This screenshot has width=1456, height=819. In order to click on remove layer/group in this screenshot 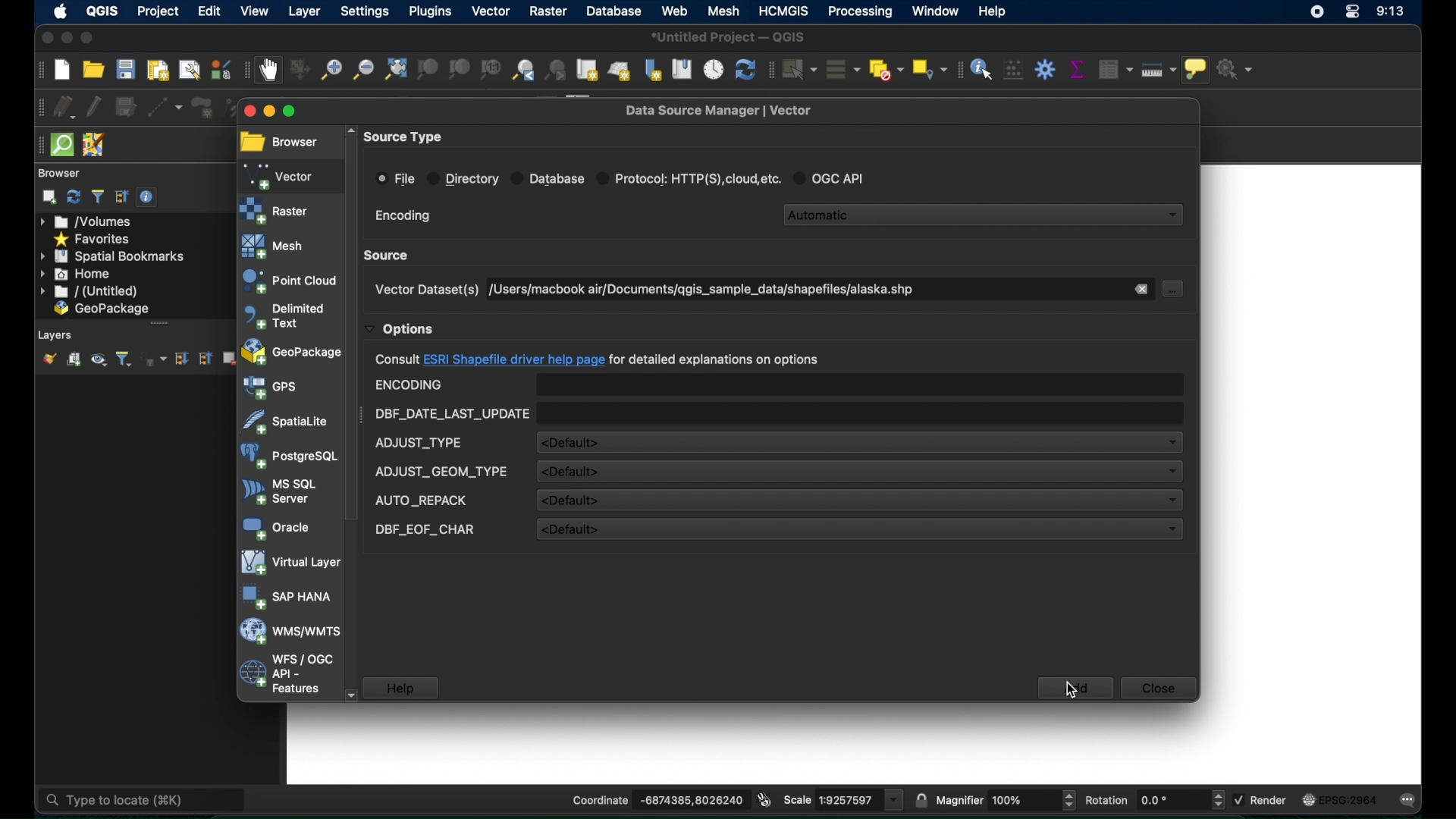, I will do `click(231, 359)`.